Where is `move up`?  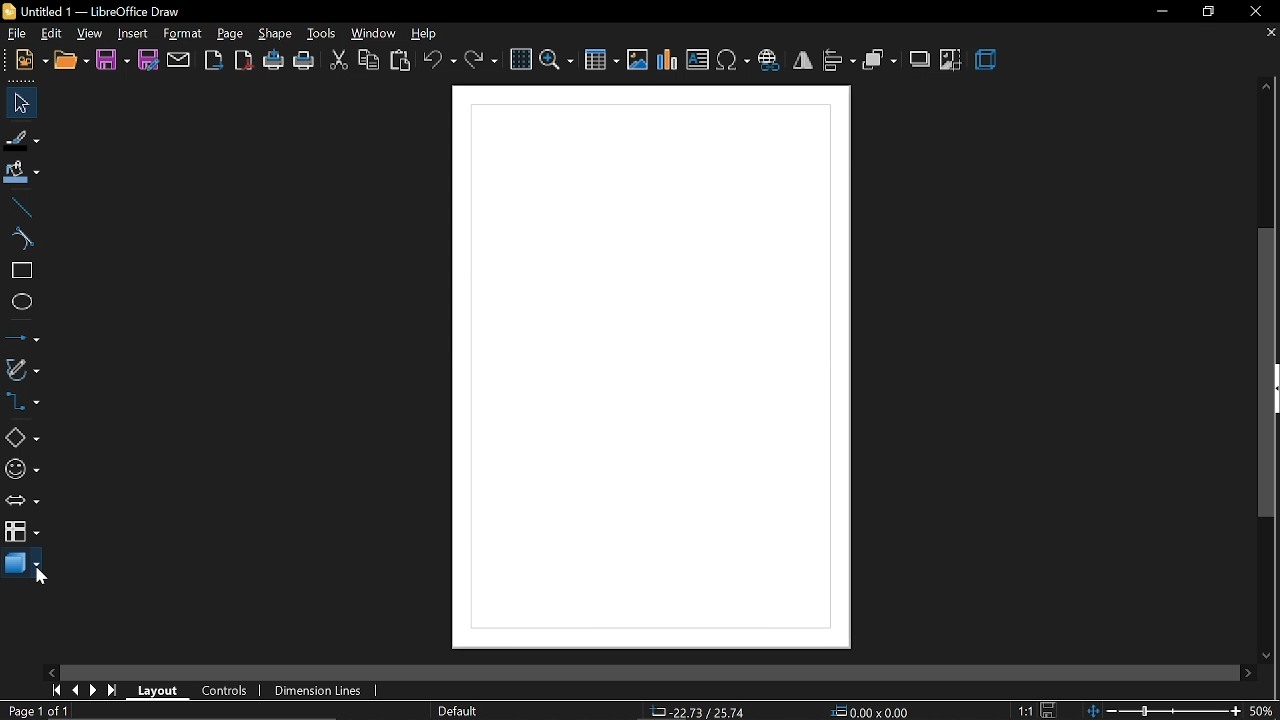
move up is located at coordinates (1265, 85).